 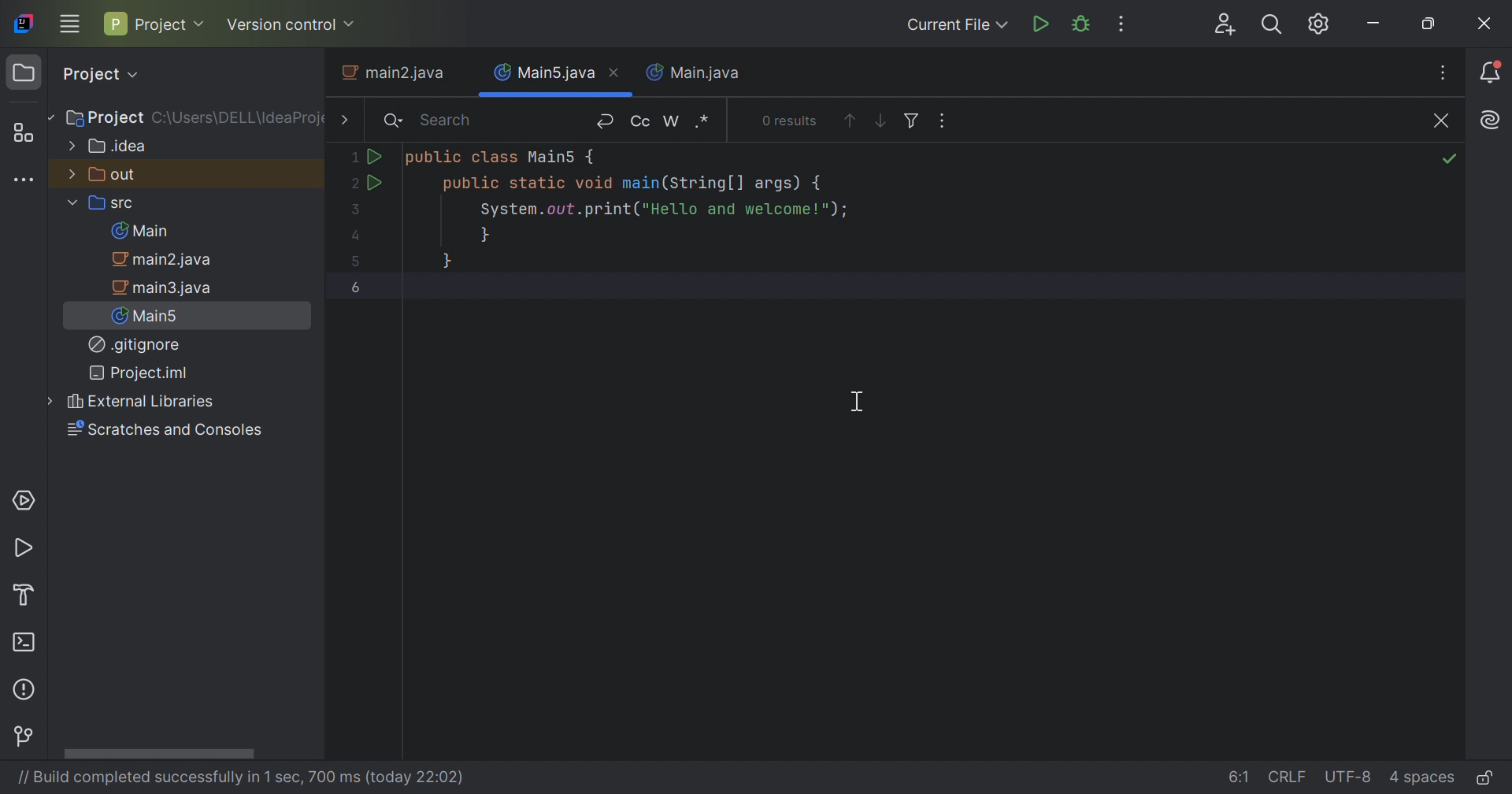 What do you see at coordinates (1451, 159) in the screenshot?
I see `no problems found` at bounding box center [1451, 159].